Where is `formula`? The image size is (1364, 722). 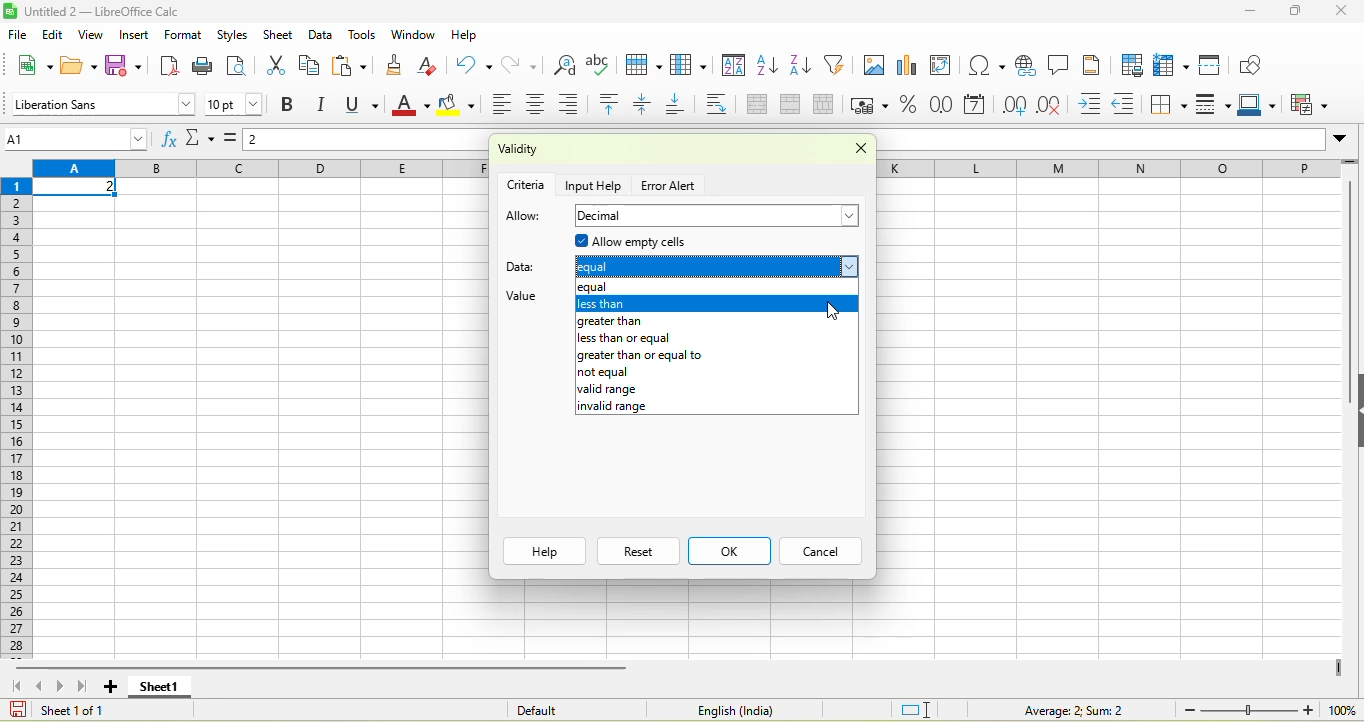 formula is located at coordinates (1059, 709).